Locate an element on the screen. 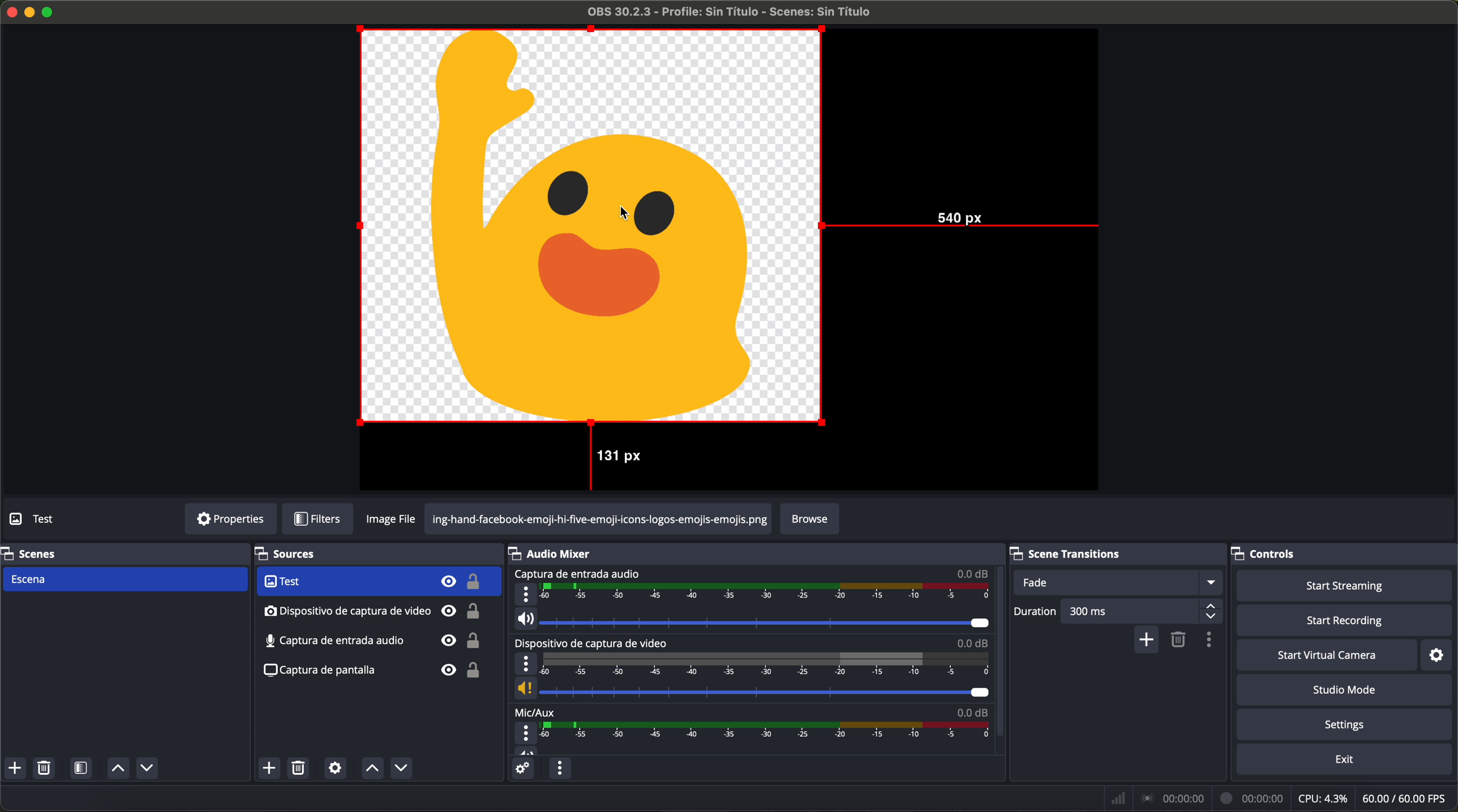 This screenshot has height=812, width=1458. filters is located at coordinates (317, 519).